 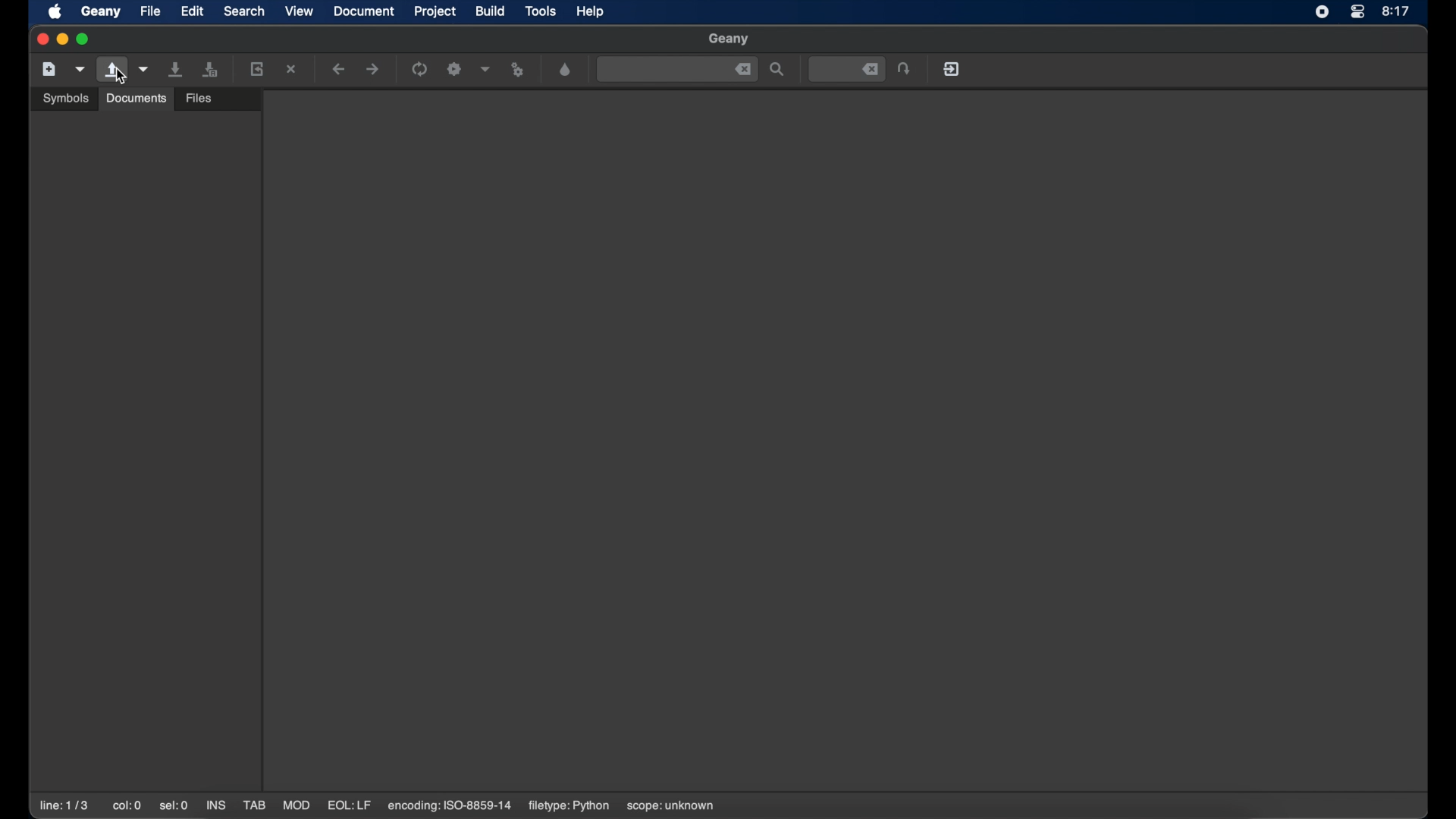 I want to click on tools, so click(x=541, y=10).